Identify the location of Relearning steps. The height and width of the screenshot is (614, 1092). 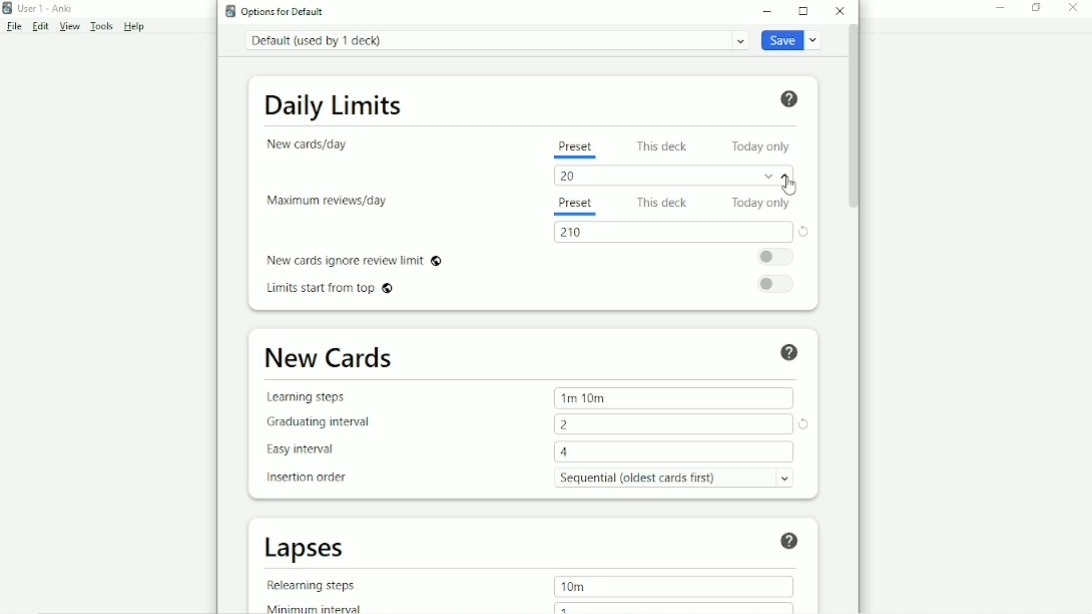
(317, 586).